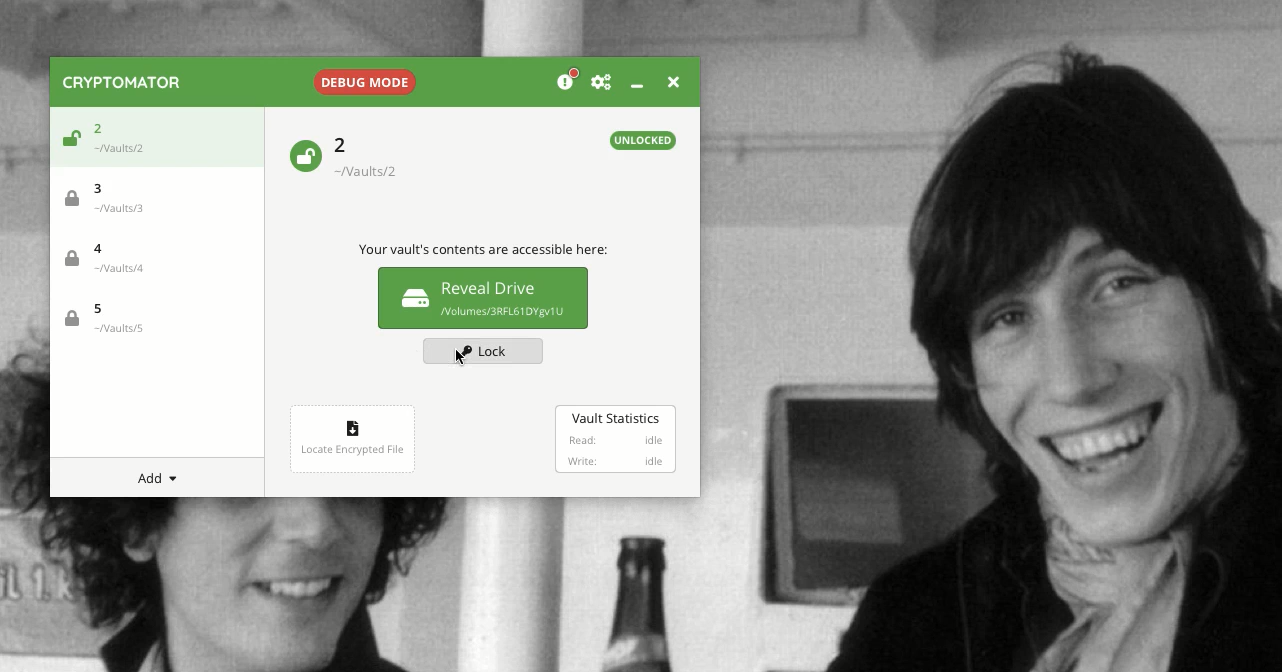 This screenshot has width=1282, height=672. I want to click on Minimize, so click(636, 85).